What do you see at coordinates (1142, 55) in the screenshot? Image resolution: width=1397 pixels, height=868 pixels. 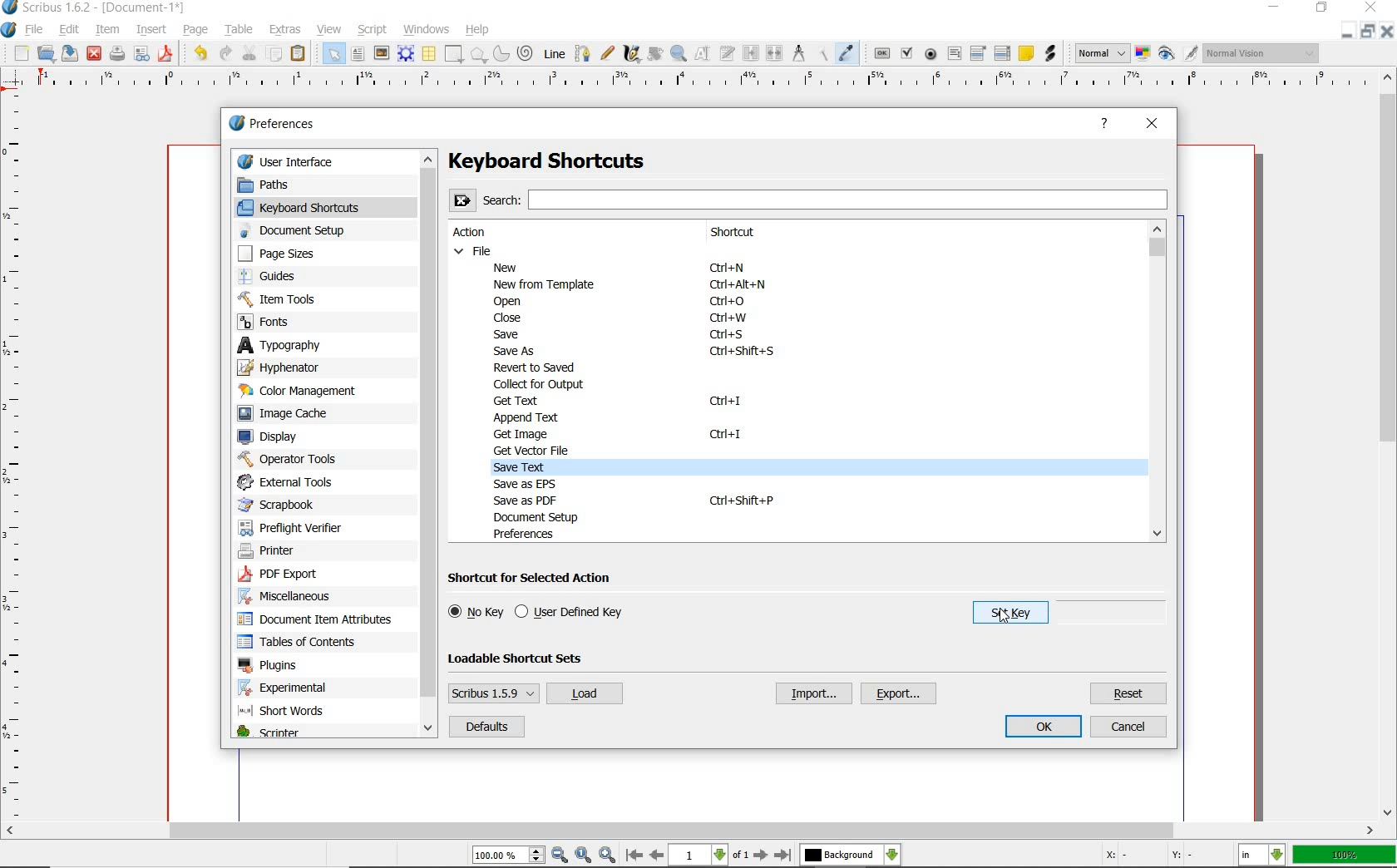 I see `toggle color management` at bounding box center [1142, 55].